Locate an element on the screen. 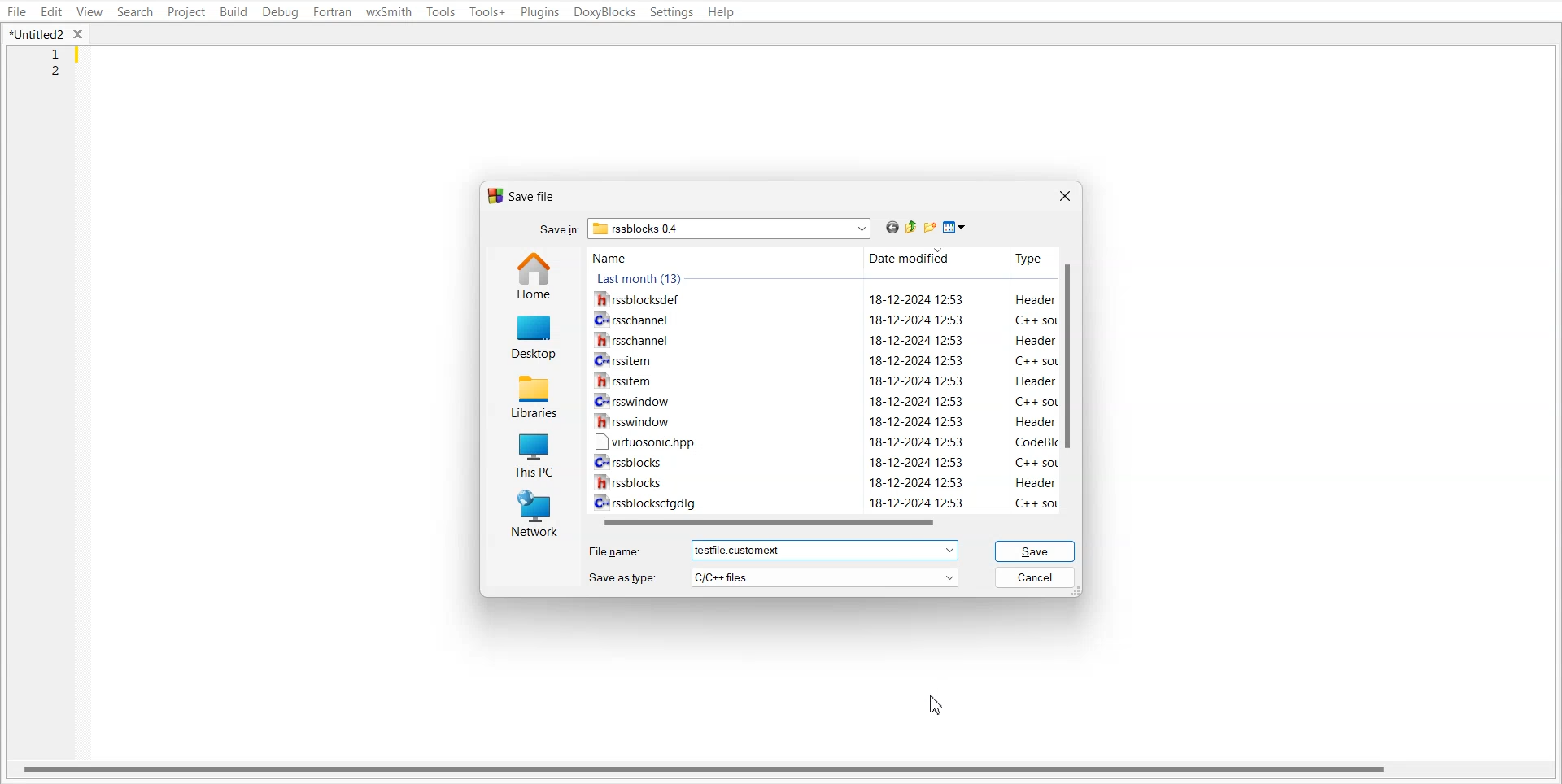 This screenshot has width=1562, height=784. Crrssitem 18-12-2024 12:53 C++ soL is located at coordinates (827, 360).